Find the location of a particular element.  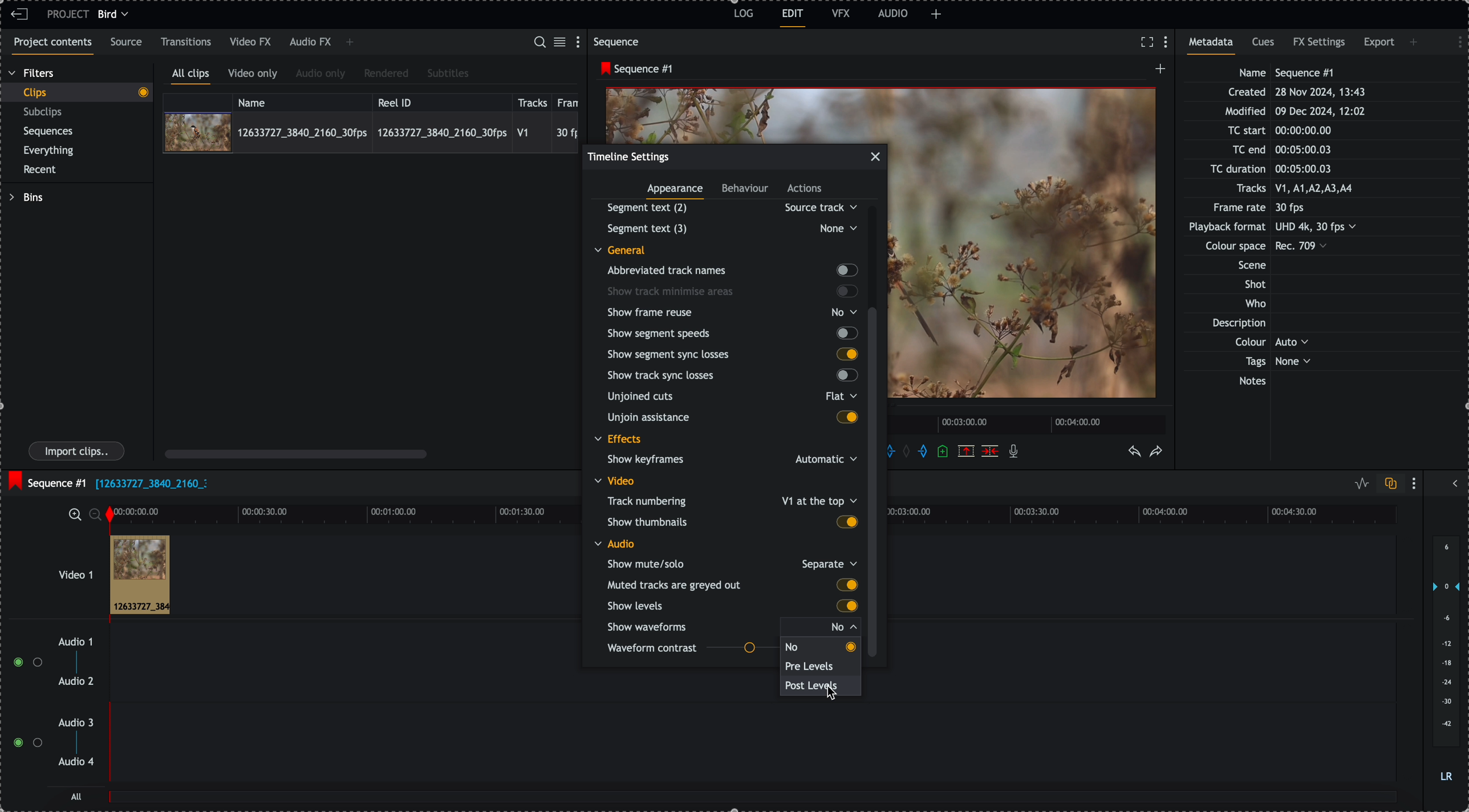

project contents is located at coordinates (50, 46).